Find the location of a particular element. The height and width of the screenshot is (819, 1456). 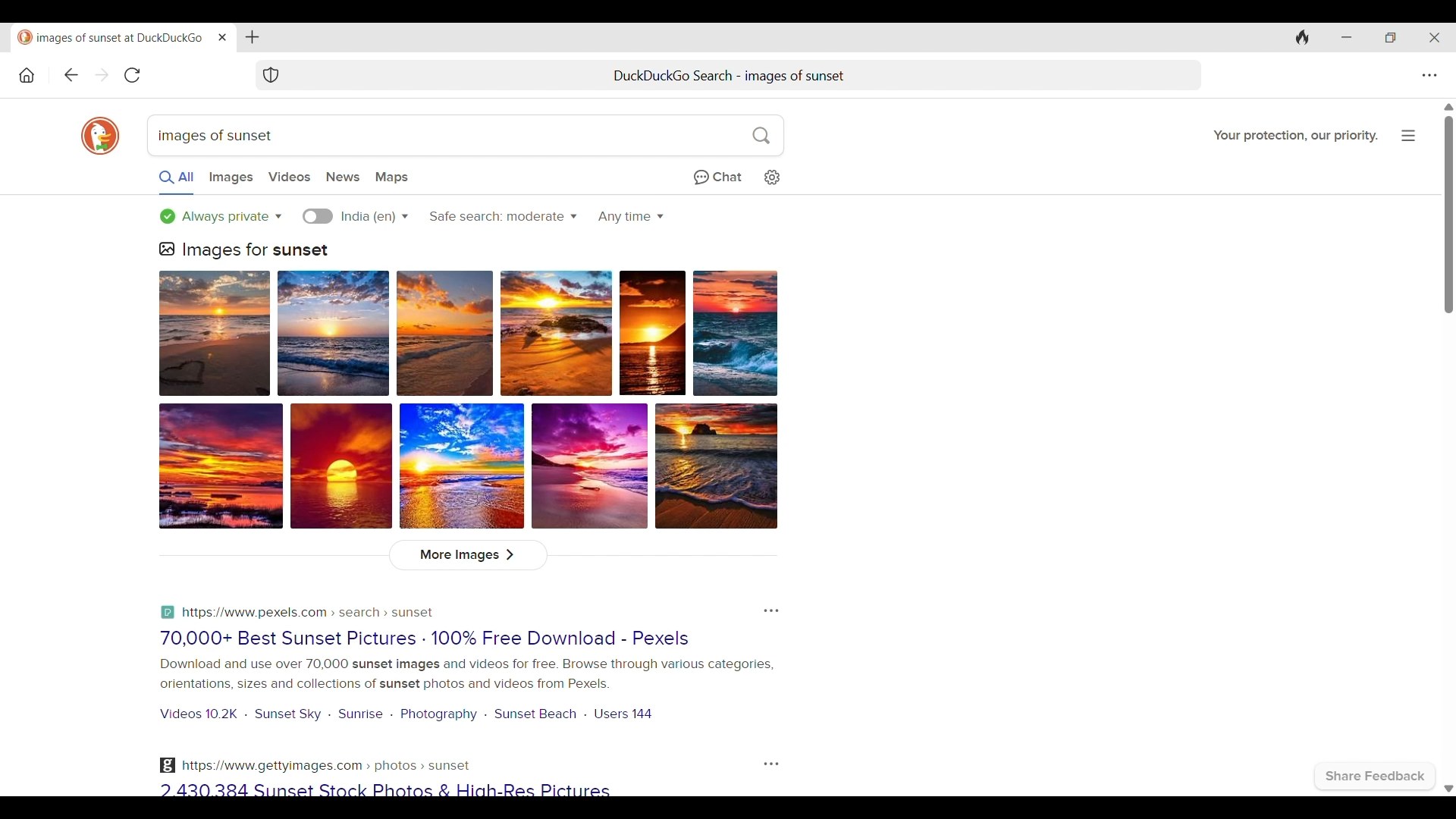

Close tab is located at coordinates (223, 36).